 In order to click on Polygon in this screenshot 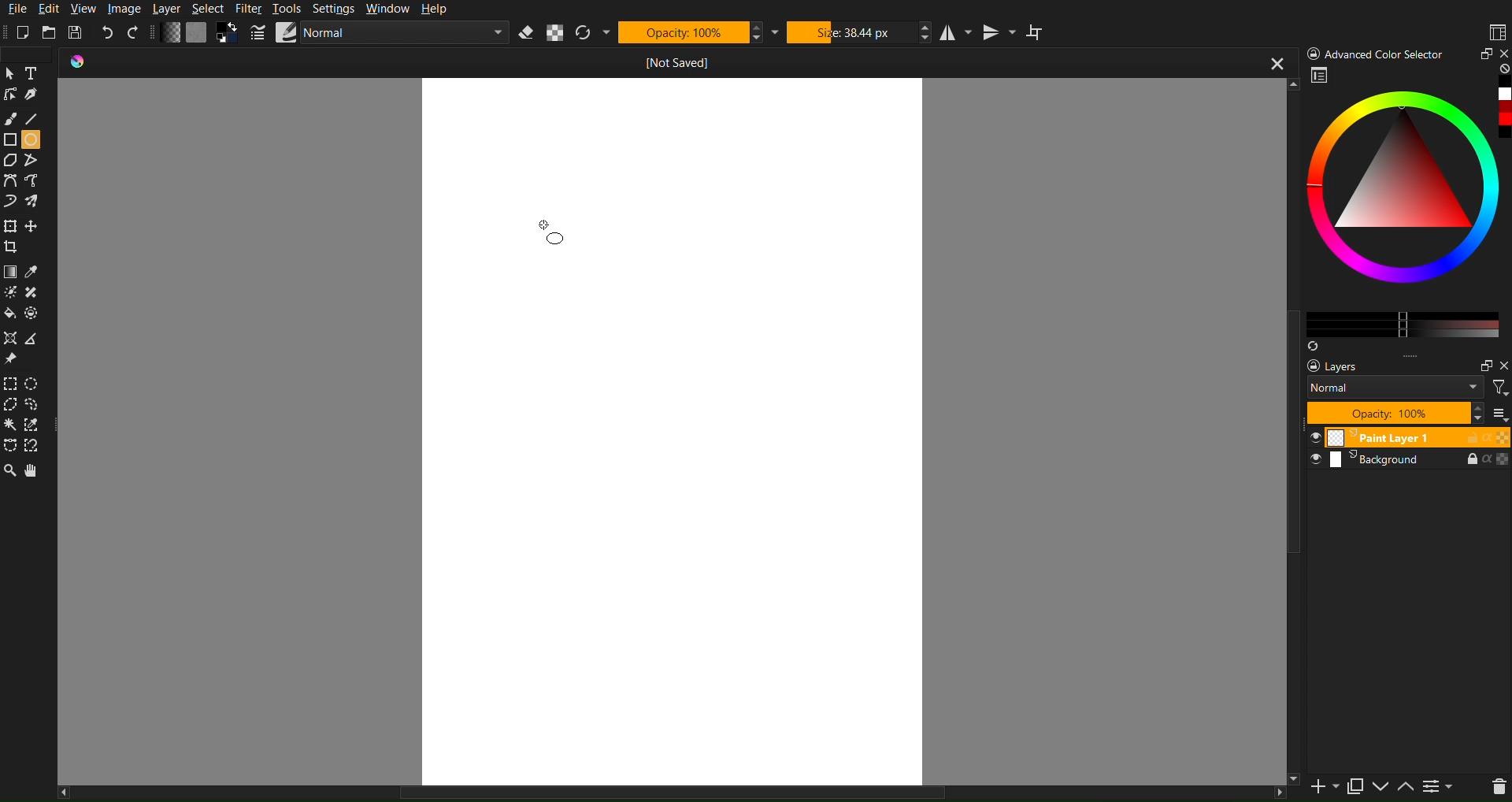, I will do `click(9, 161)`.